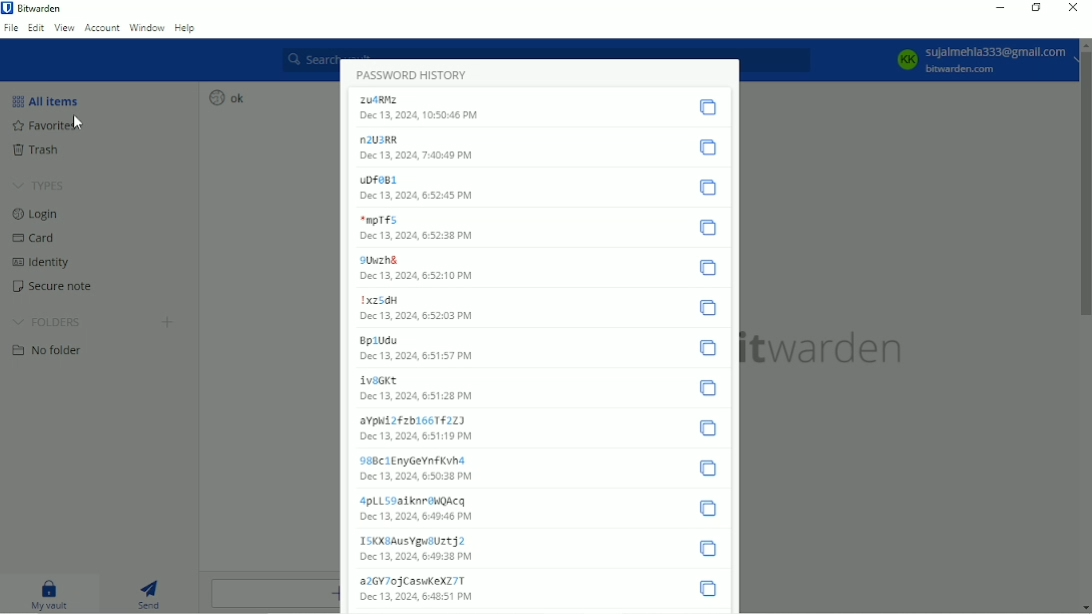 The image size is (1092, 614). Describe the element at coordinates (707, 309) in the screenshot. I see `Copy password` at that location.